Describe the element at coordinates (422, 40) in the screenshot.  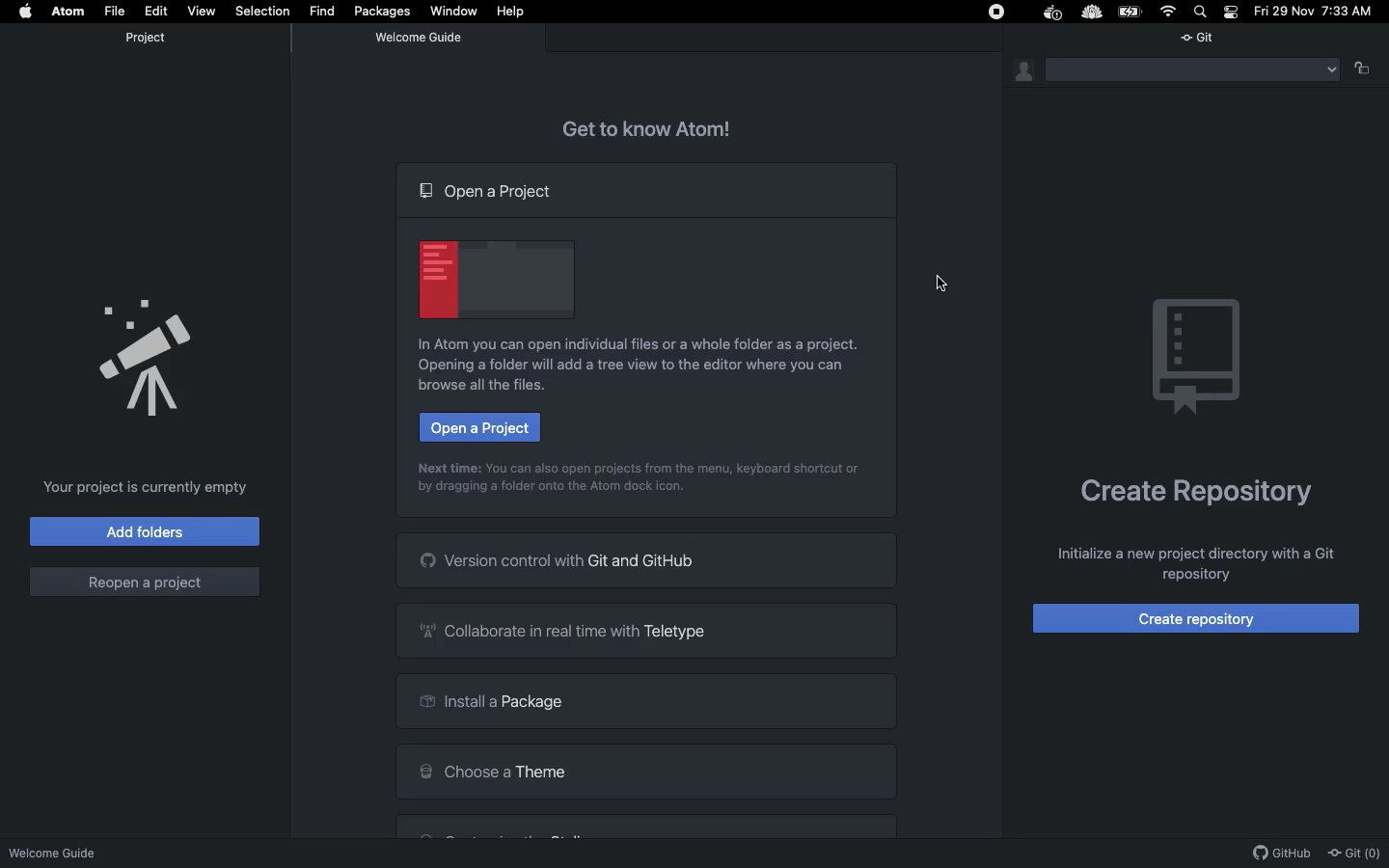
I see `Welcome guide` at that location.